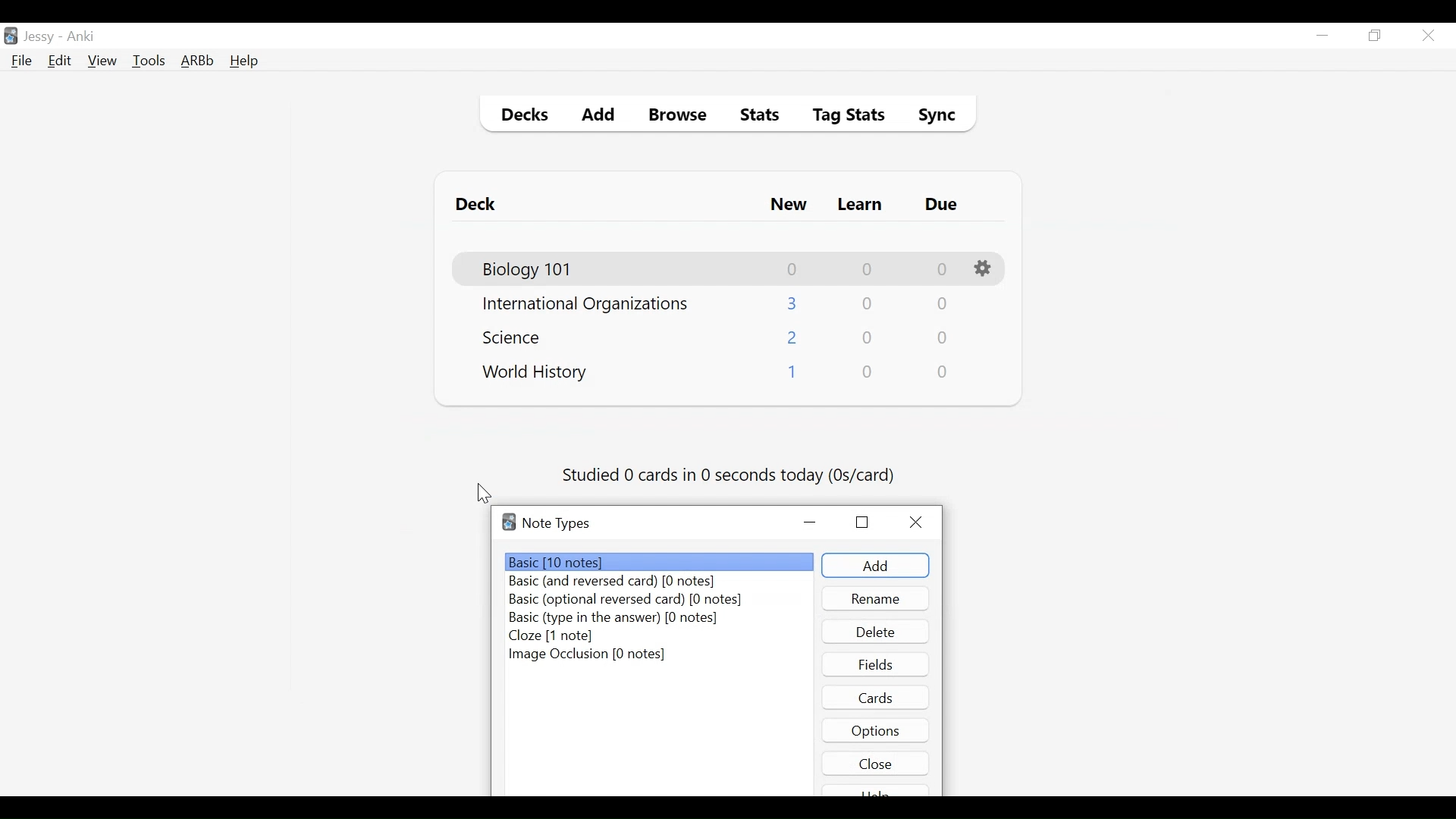 Image resolution: width=1456 pixels, height=819 pixels. What do you see at coordinates (81, 36) in the screenshot?
I see `Anki` at bounding box center [81, 36].